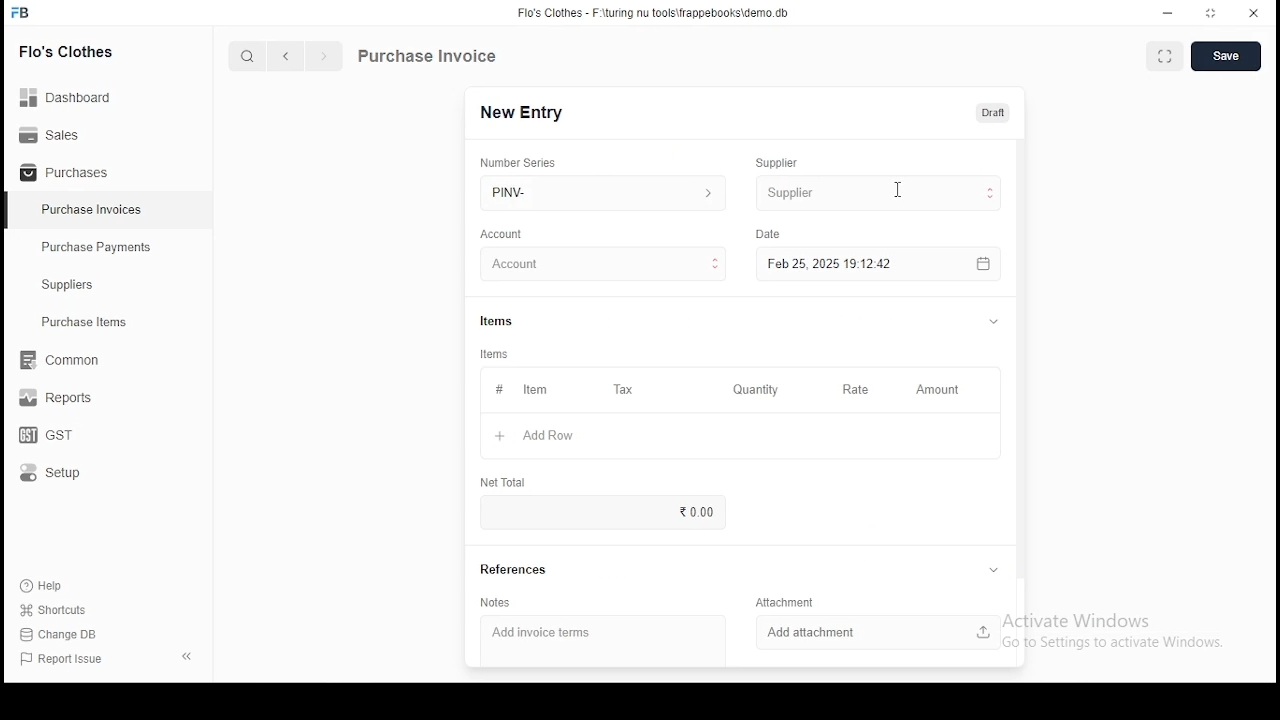 This screenshot has width=1280, height=720. Describe the element at coordinates (250, 58) in the screenshot. I see `search` at that location.